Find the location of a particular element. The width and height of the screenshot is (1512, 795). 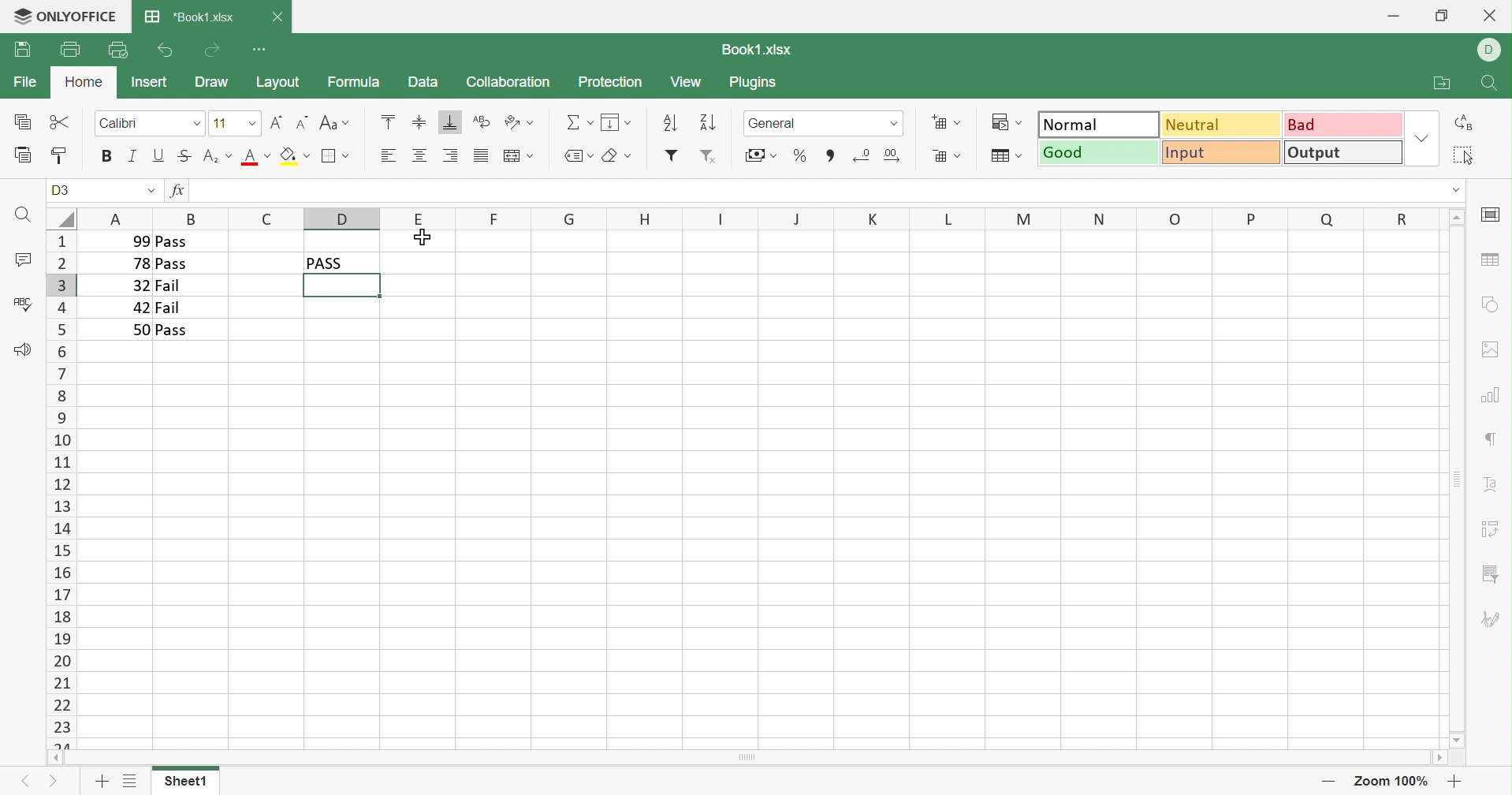

Italic is located at coordinates (134, 156).